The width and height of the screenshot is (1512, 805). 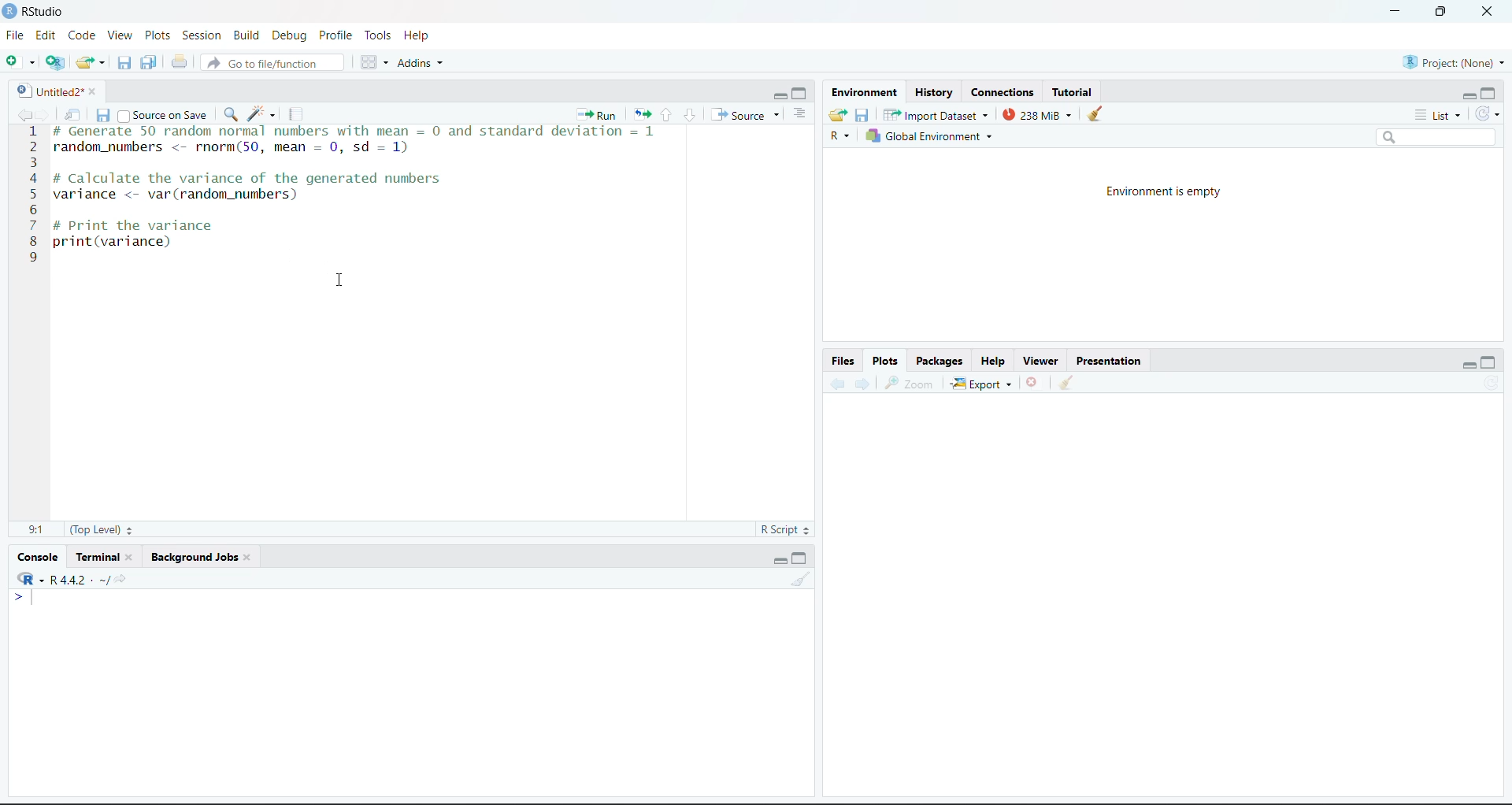 I want to click on R, so click(x=840, y=135).